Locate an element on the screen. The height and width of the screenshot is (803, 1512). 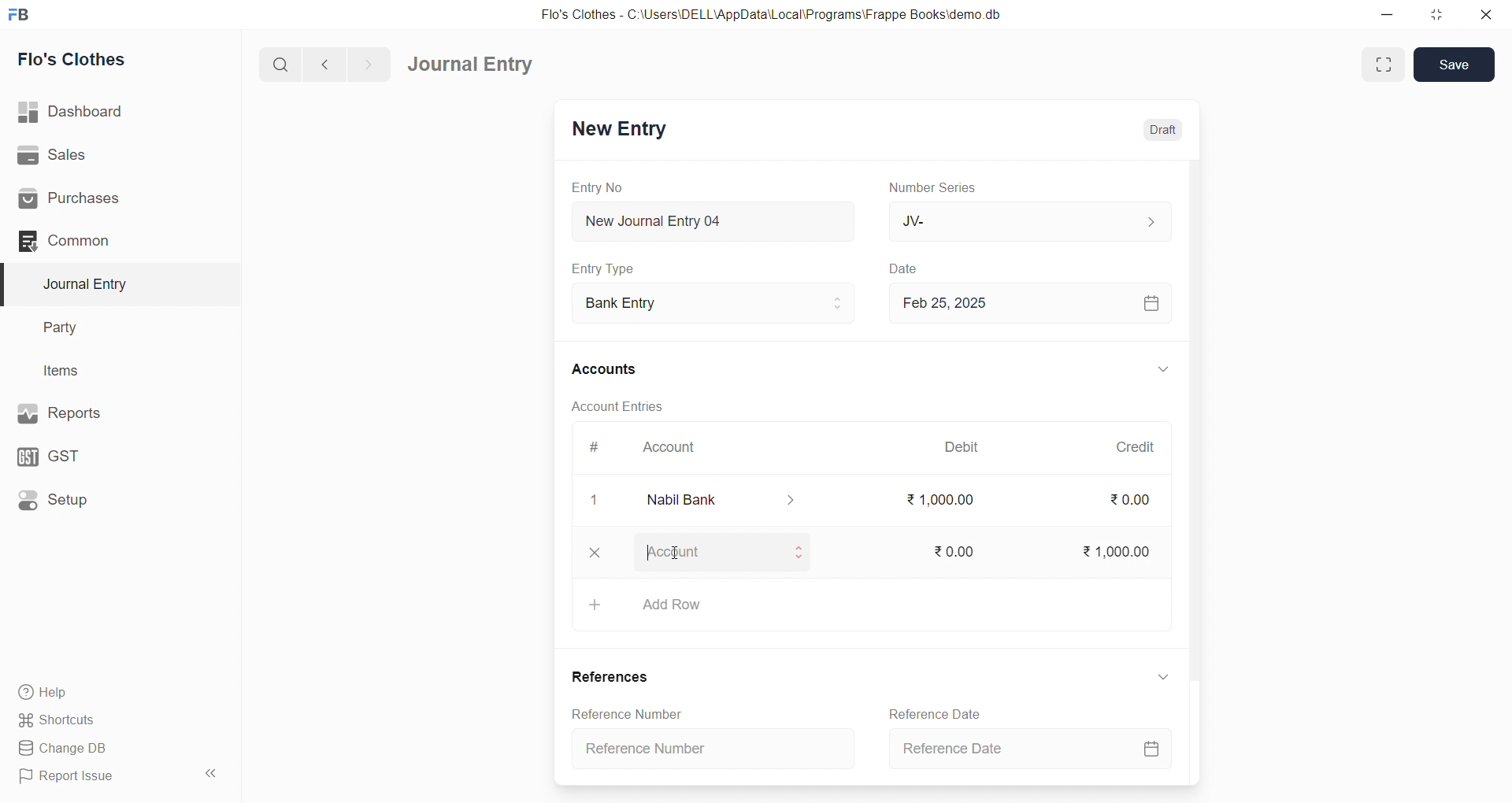
resize is located at coordinates (1432, 14).